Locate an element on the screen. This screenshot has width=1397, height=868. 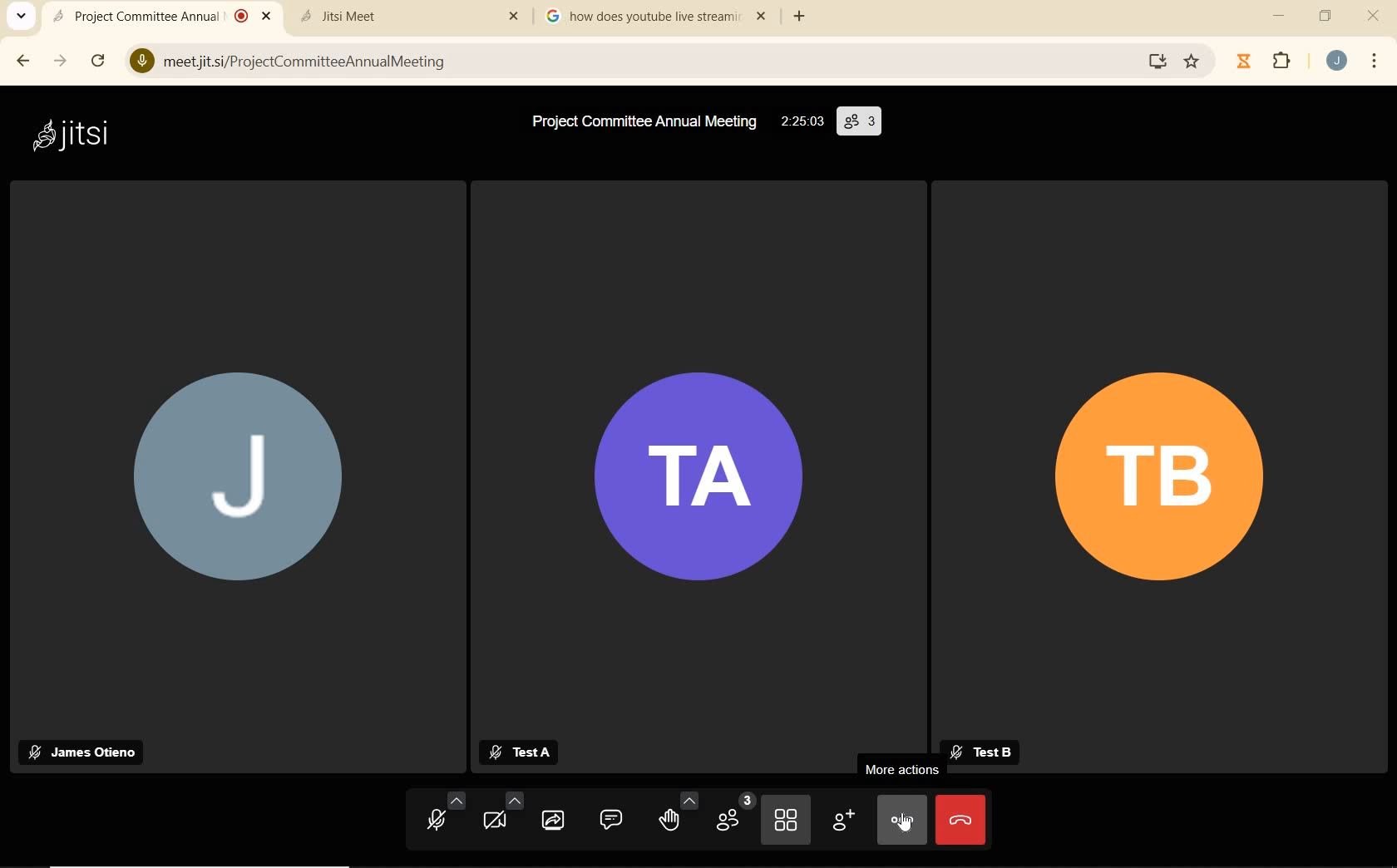
jitsi is located at coordinates (86, 142).